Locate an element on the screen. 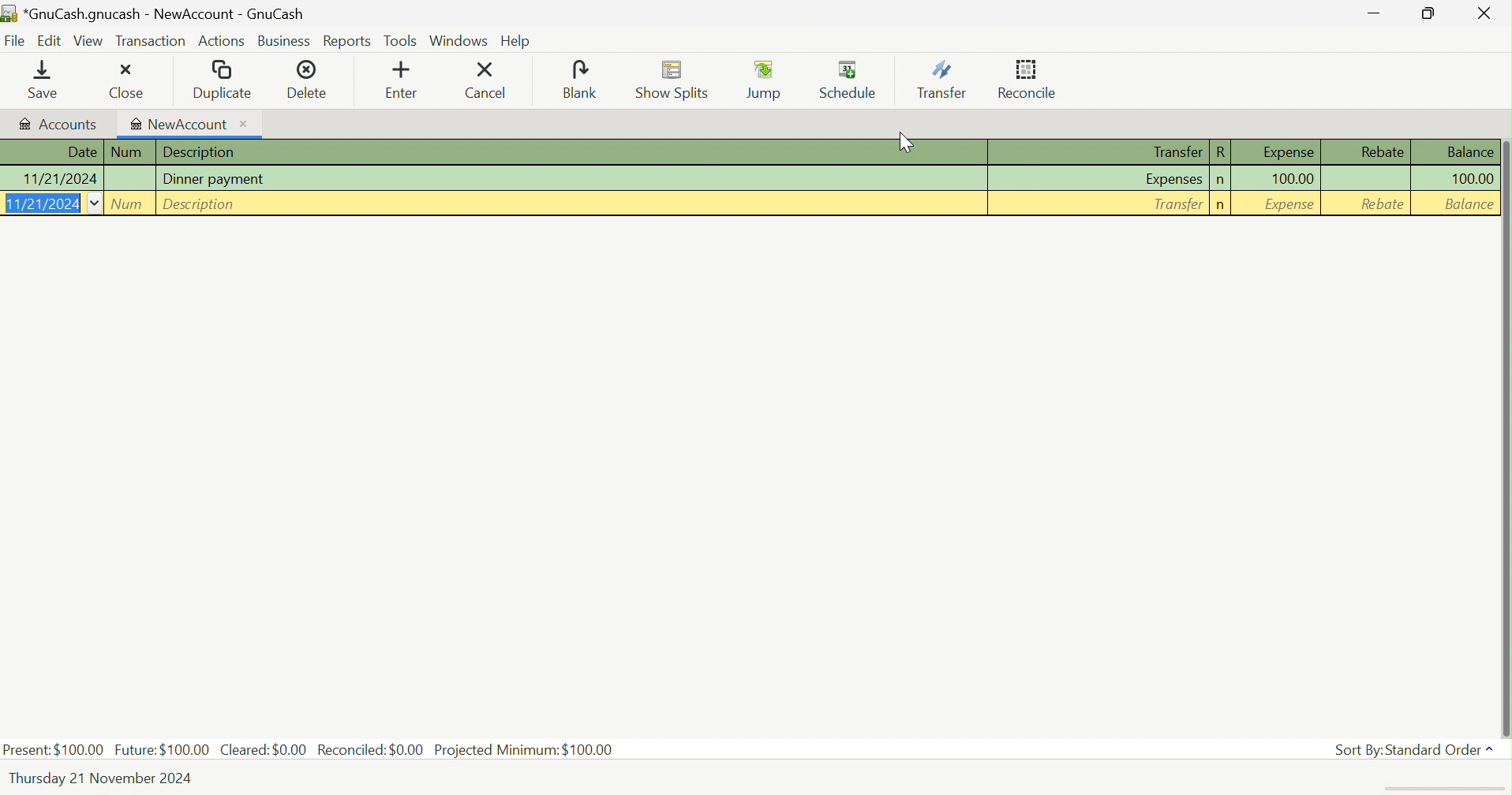 Image resolution: width=1512 pixels, height=795 pixels. 1,00,00 is located at coordinates (1293, 180).